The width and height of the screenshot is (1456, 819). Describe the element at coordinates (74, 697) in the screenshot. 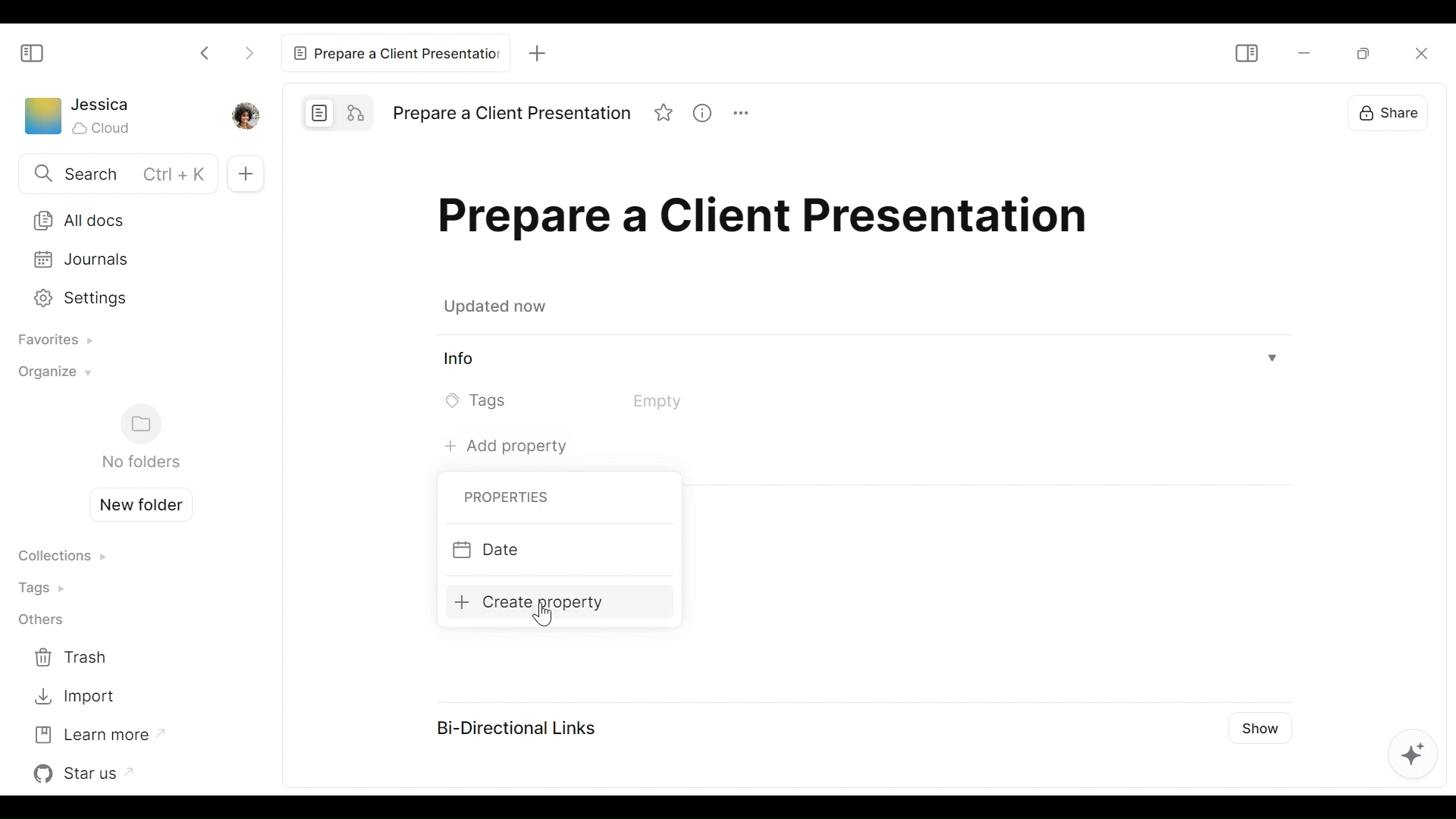

I see `Import` at that location.